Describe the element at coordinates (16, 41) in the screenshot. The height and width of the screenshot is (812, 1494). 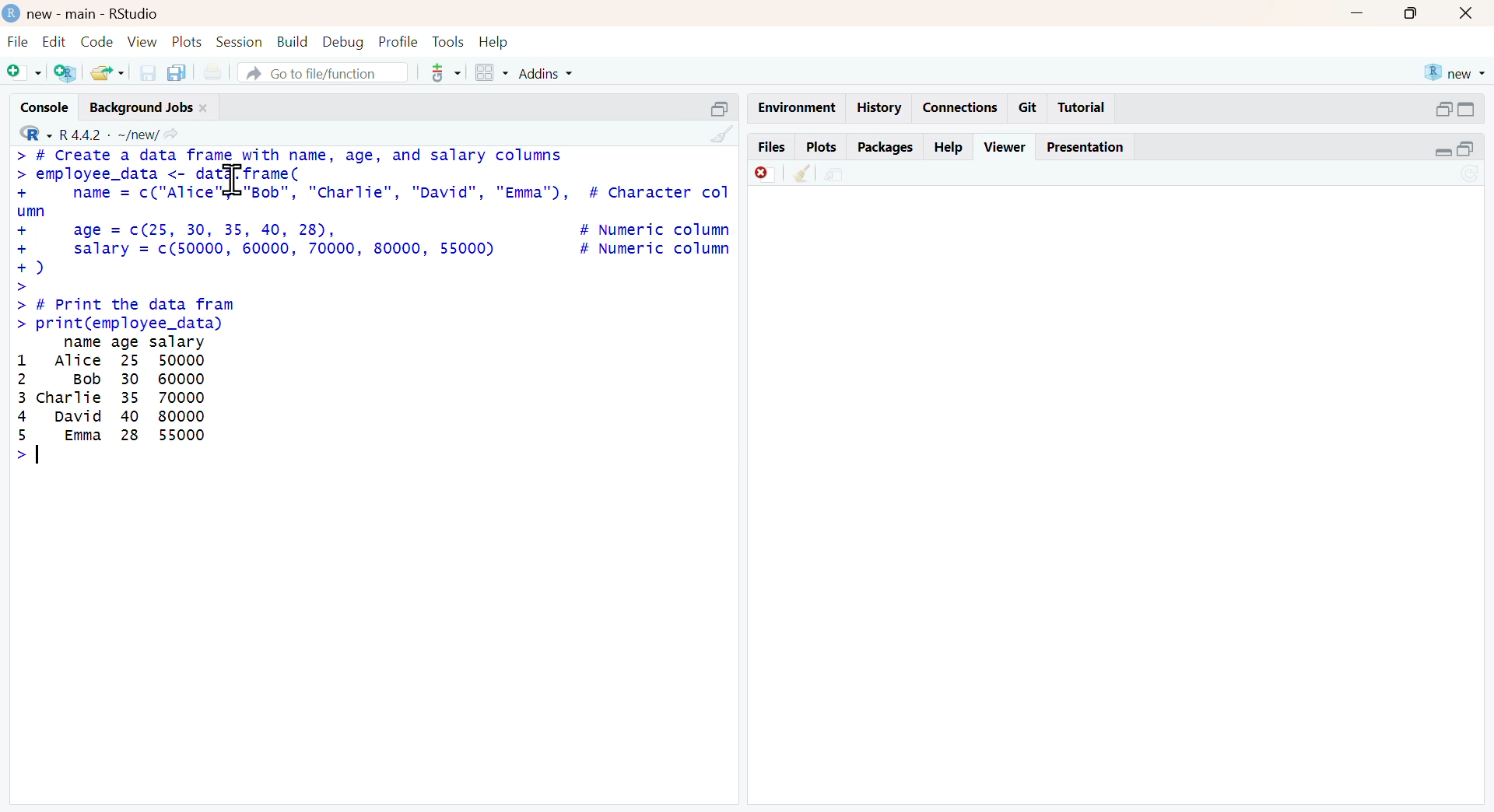
I see `File` at that location.